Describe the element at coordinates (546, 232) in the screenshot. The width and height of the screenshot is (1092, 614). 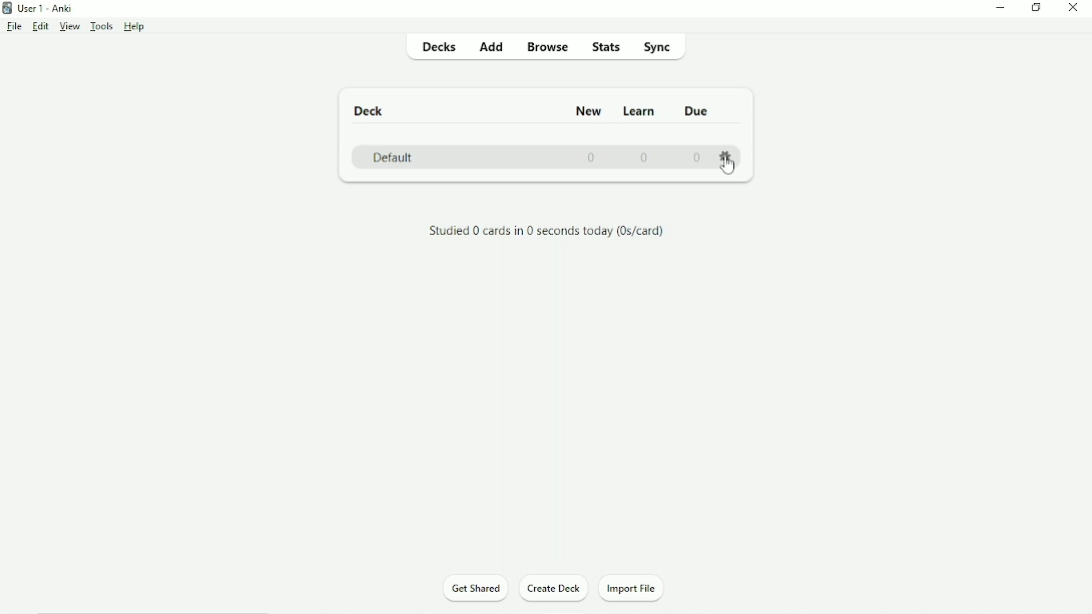
I see `Studied 0 cards in 0 seconds today.` at that location.